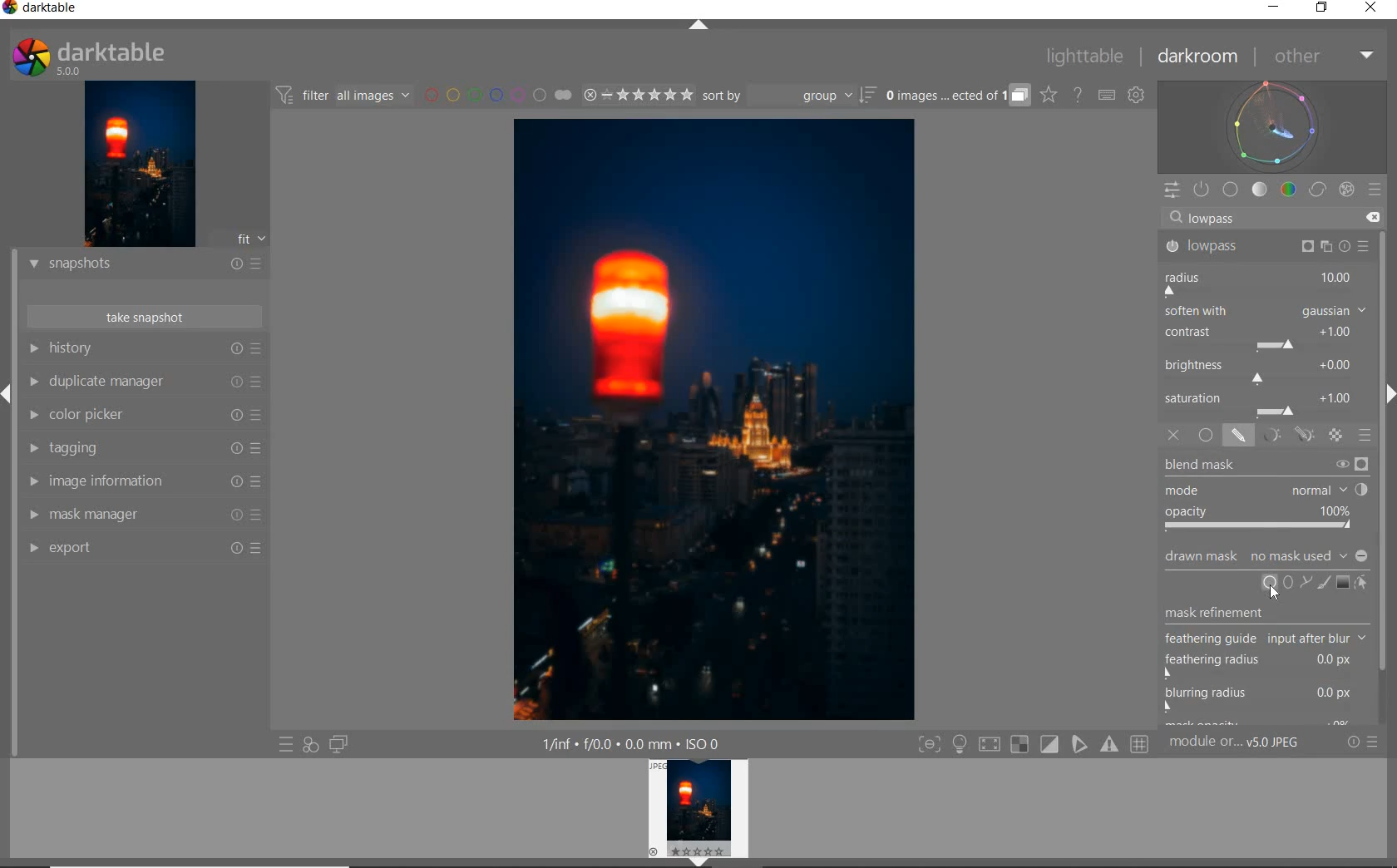 The height and width of the screenshot is (868, 1397). I want to click on Searchbar, so click(1259, 217).